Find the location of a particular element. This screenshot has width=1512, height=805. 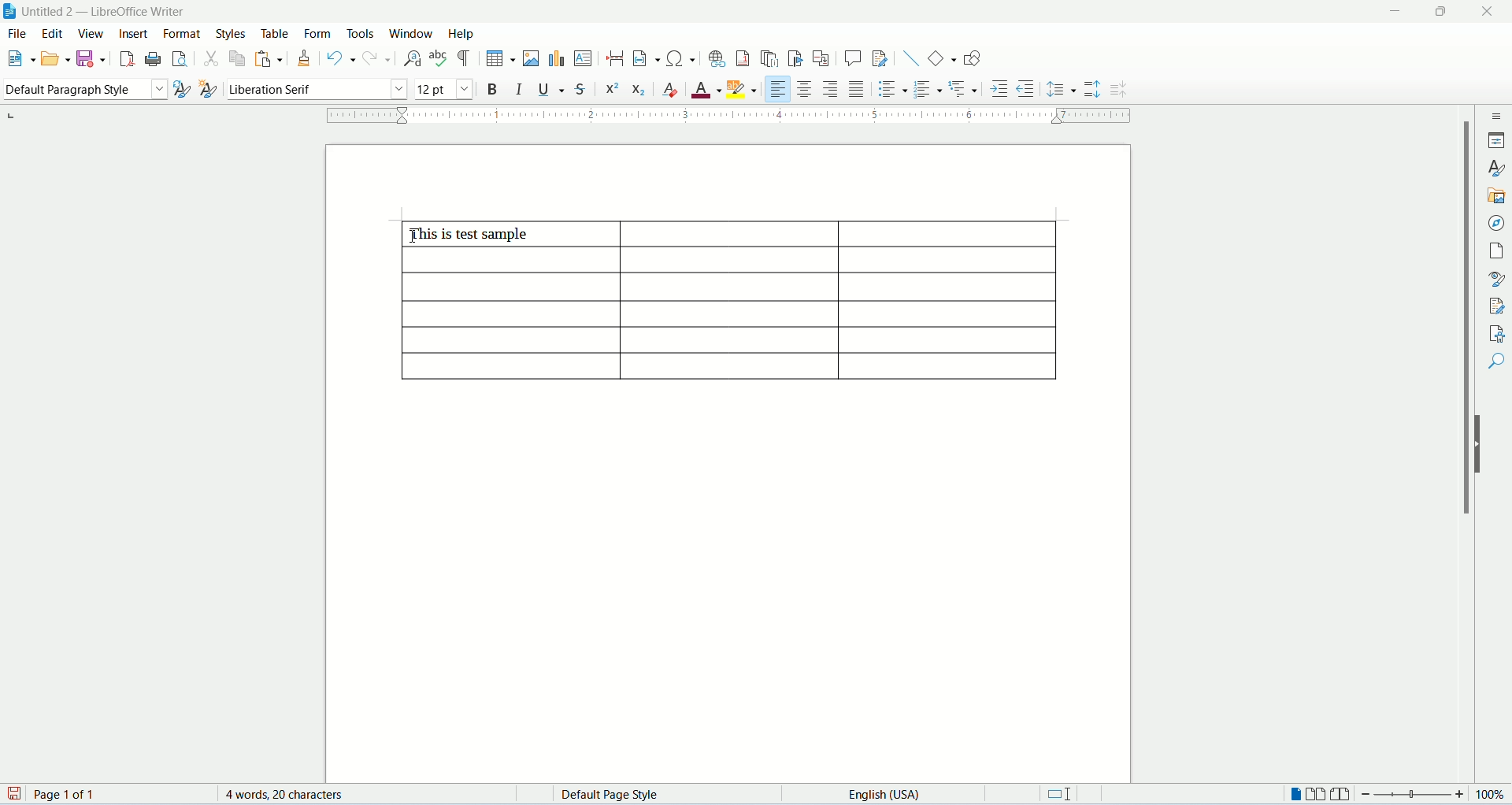

increase indent is located at coordinates (1000, 88).